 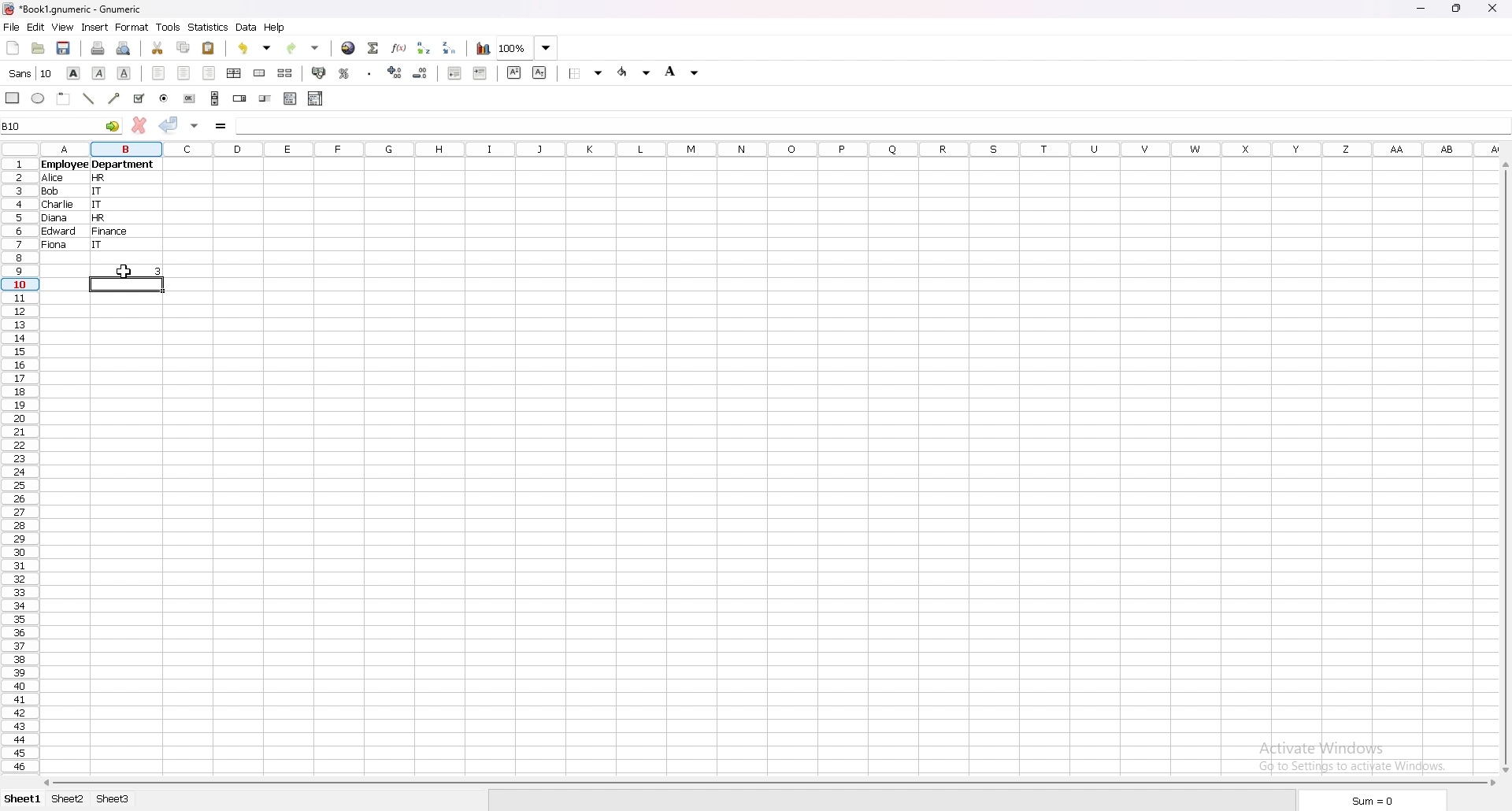 I want to click on subscript, so click(x=539, y=72).